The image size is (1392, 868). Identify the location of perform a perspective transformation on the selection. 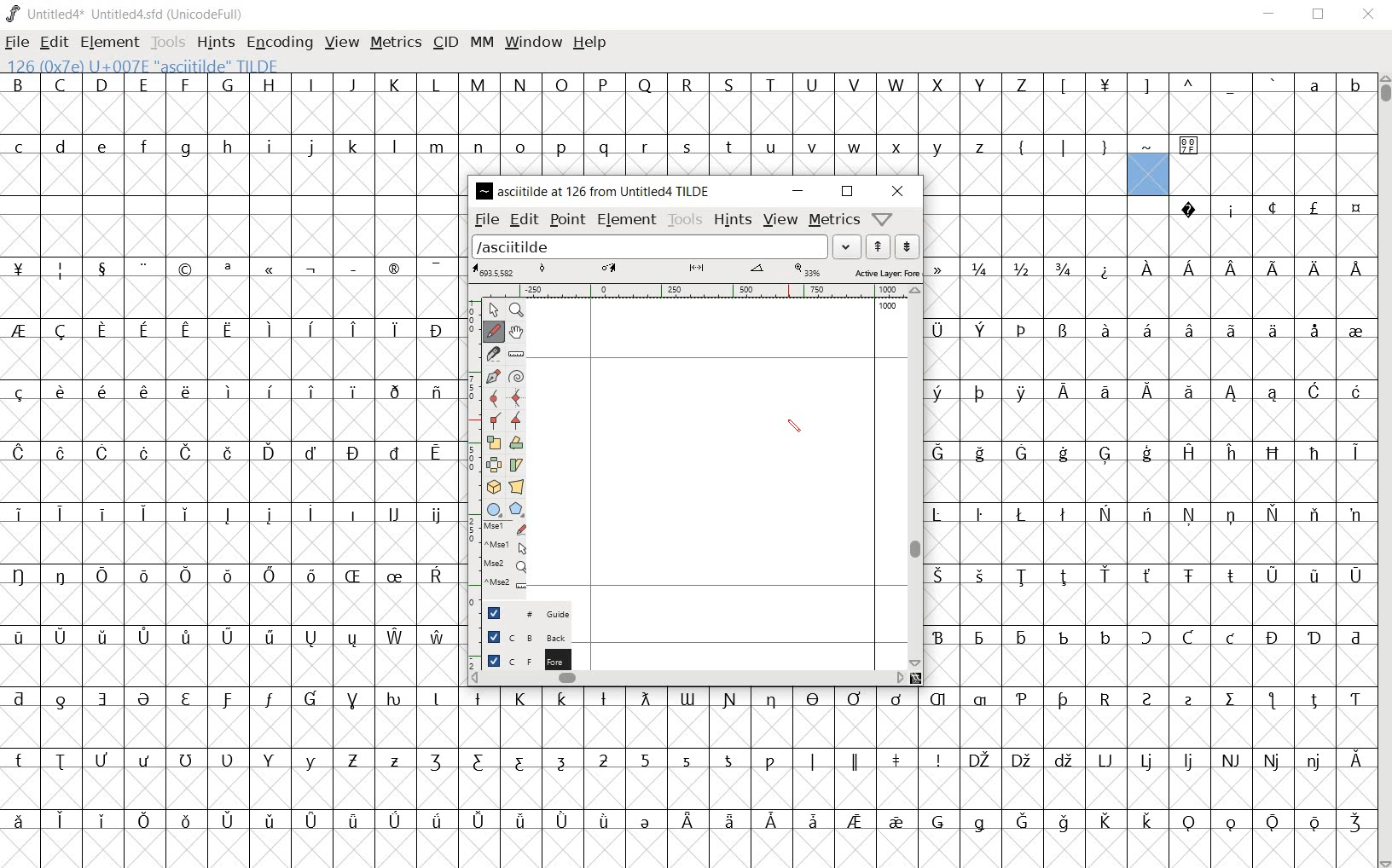
(492, 486).